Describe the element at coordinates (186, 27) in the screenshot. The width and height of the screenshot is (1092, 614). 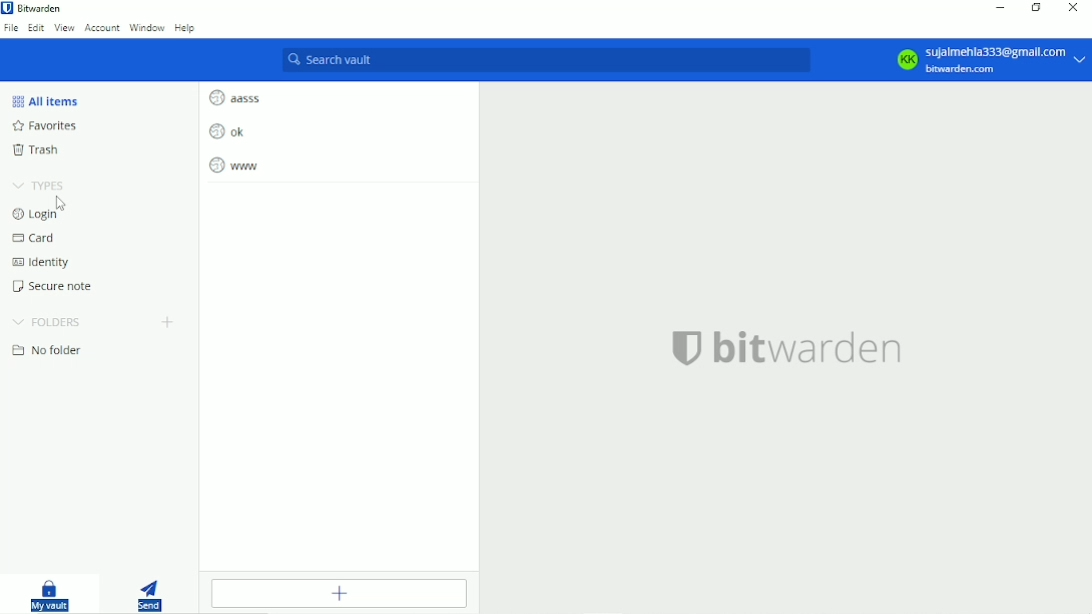
I see `Help` at that location.